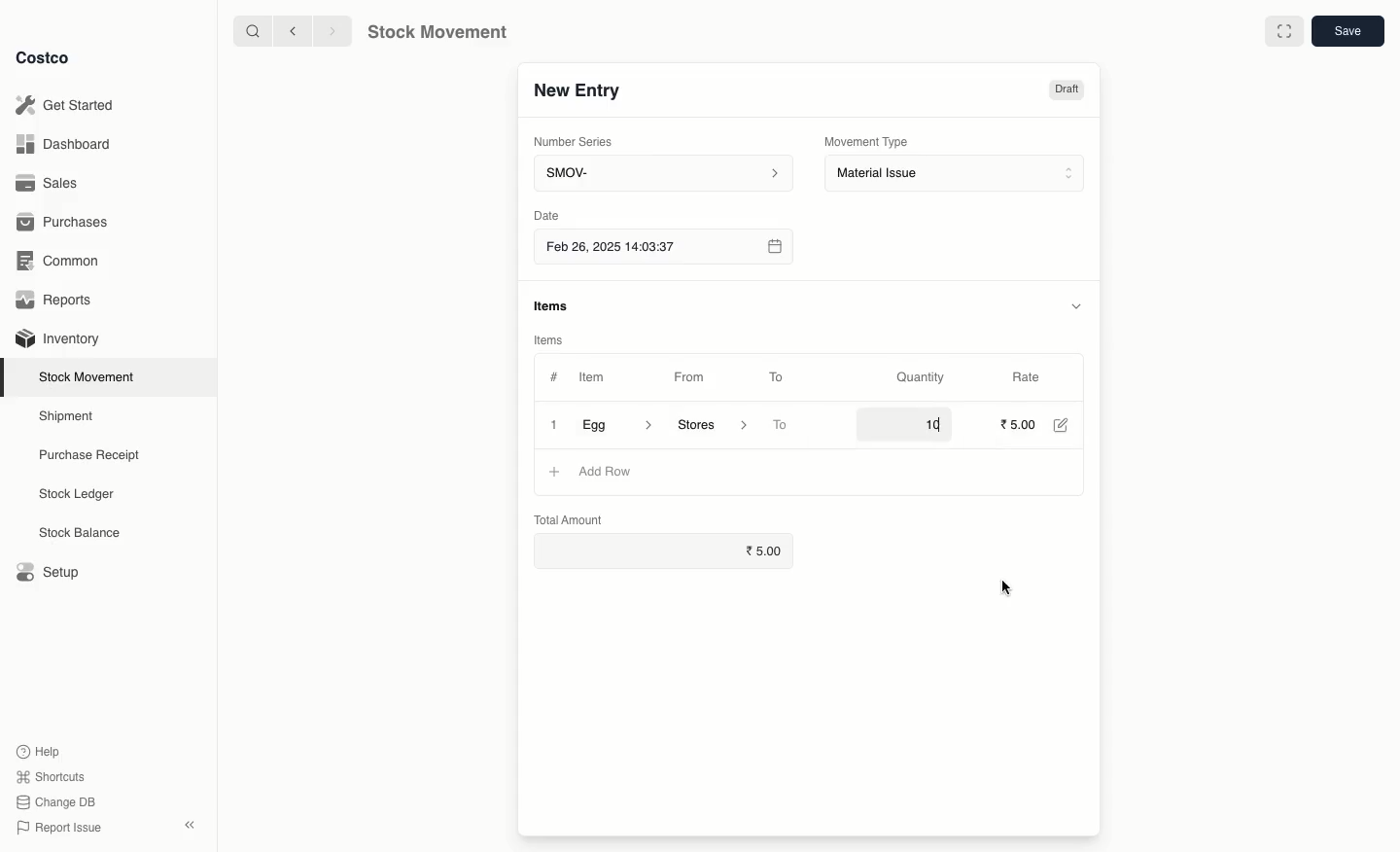  Describe the element at coordinates (710, 423) in the screenshot. I see `‘Stores` at that location.